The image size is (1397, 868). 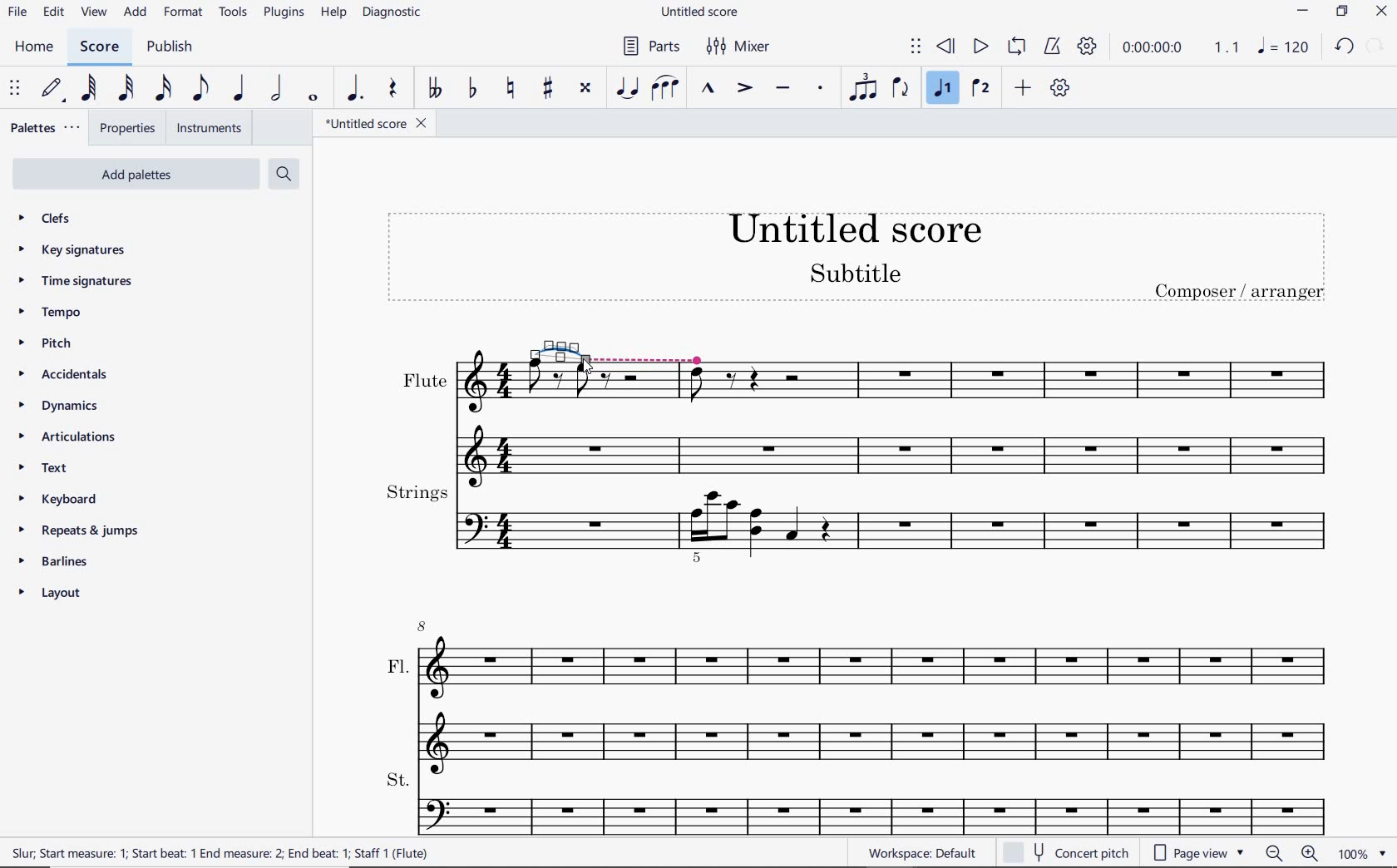 What do you see at coordinates (856, 259) in the screenshot?
I see `title` at bounding box center [856, 259].